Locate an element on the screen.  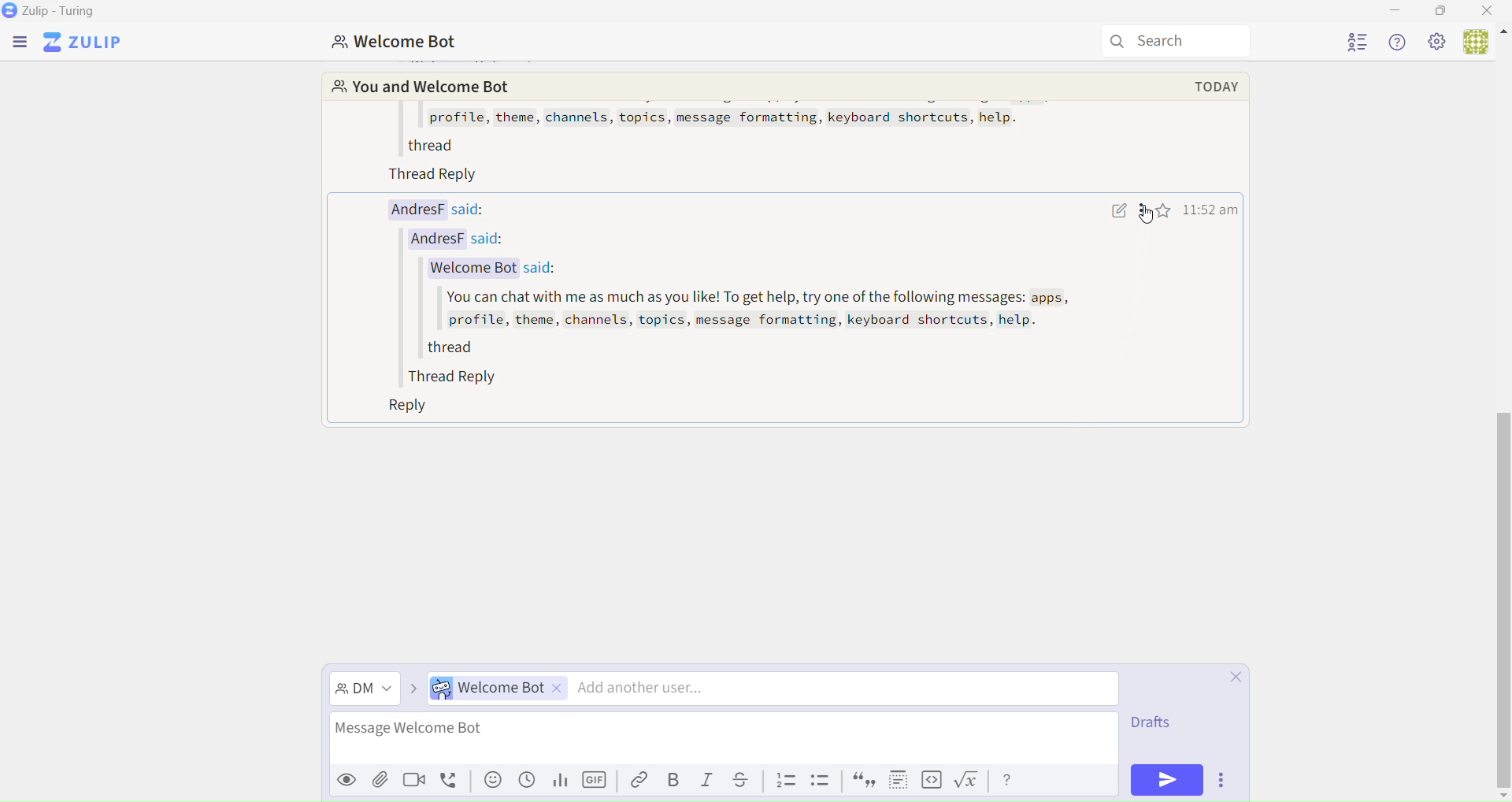
Link is located at coordinates (636, 781).